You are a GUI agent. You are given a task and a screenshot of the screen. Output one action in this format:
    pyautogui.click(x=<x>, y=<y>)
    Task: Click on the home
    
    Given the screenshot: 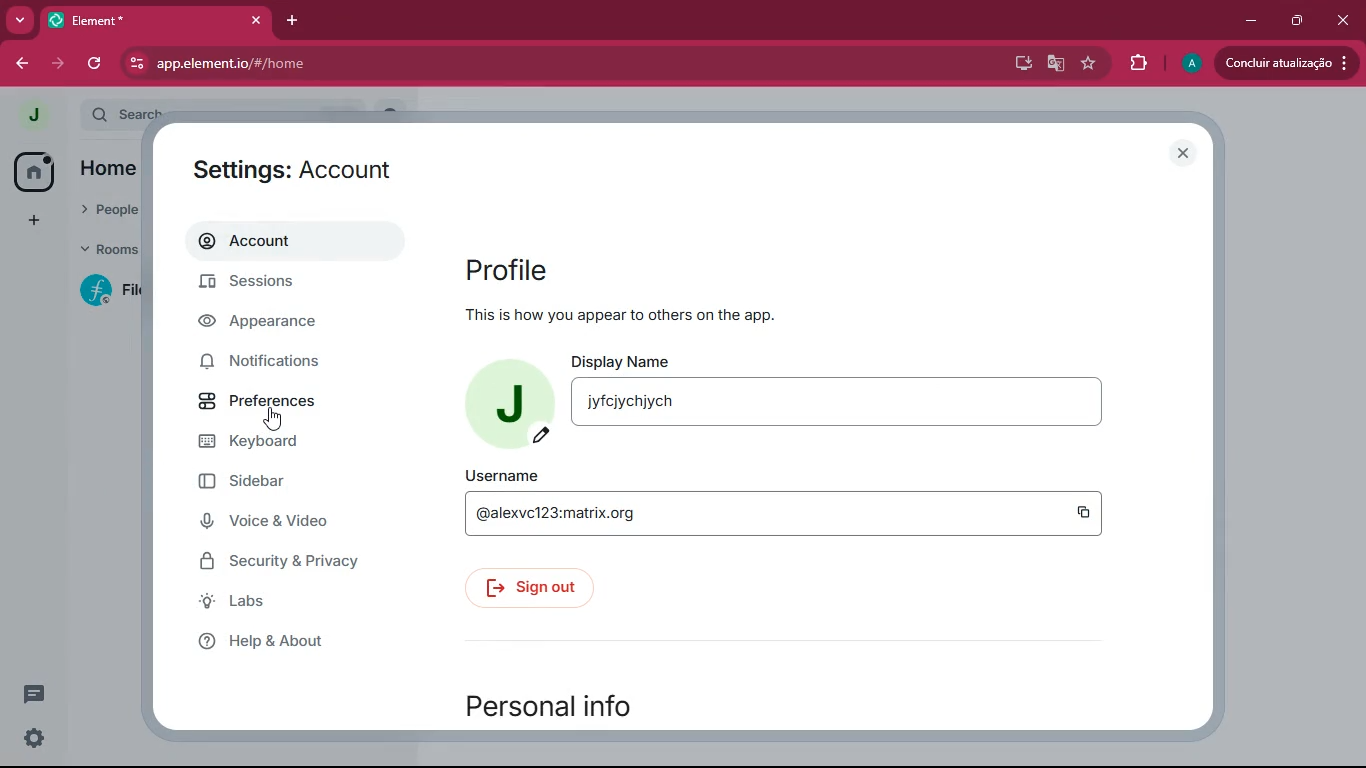 What is the action you would take?
    pyautogui.click(x=32, y=171)
    